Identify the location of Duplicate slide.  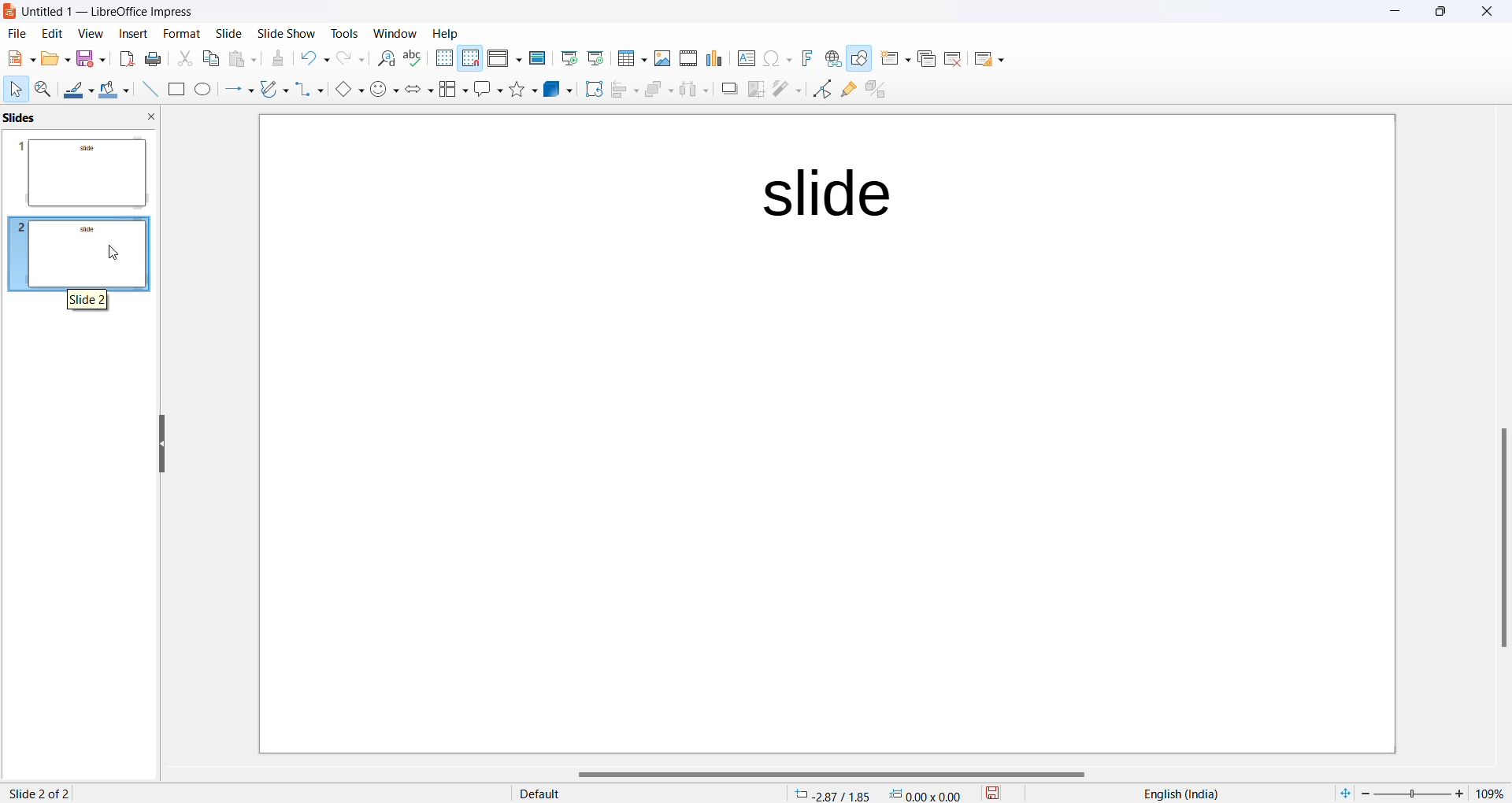
(924, 61).